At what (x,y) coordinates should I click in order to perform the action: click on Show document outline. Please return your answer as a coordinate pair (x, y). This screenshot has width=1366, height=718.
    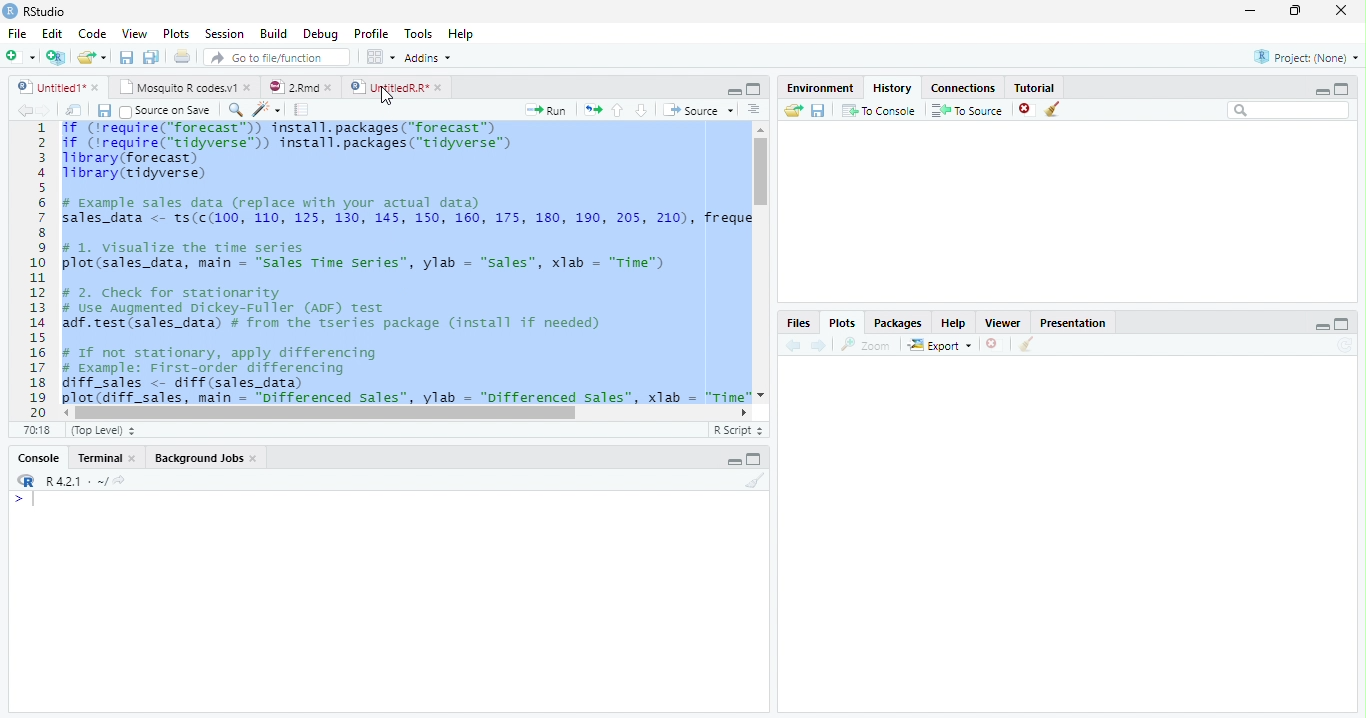
    Looking at the image, I should click on (754, 111).